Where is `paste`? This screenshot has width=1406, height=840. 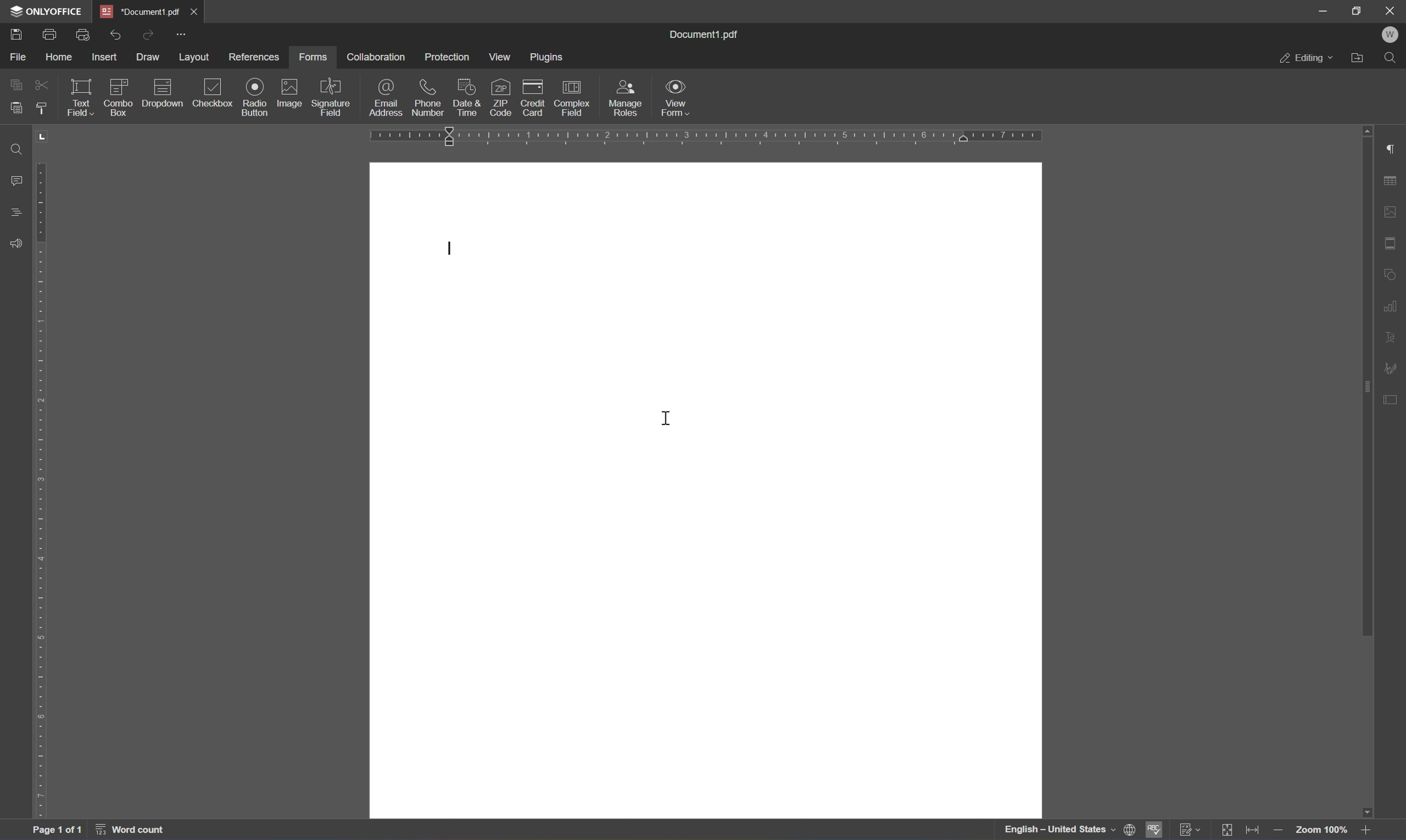
paste is located at coordinates (16, 109).